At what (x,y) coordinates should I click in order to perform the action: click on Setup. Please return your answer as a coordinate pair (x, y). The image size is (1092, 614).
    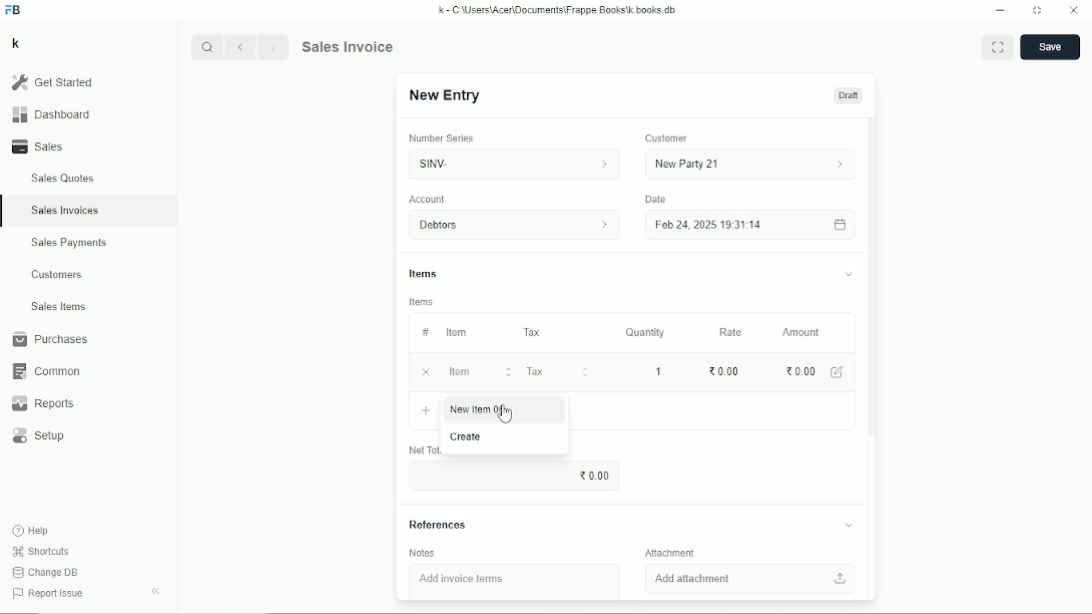
    Looking at the image, I should click on (41, 436).